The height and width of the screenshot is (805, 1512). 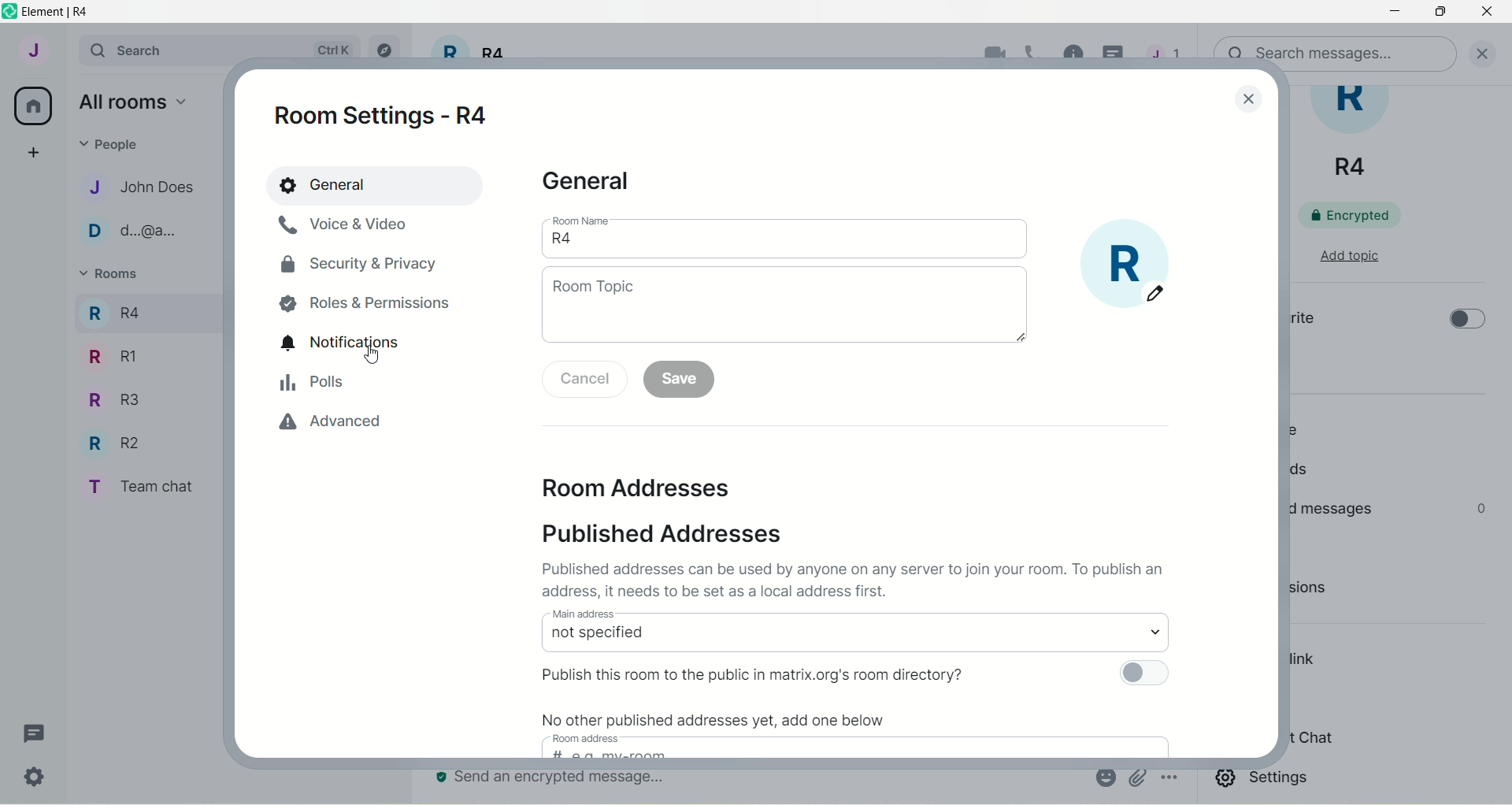 I want to click on published addresses, so click(x=662, y=533).